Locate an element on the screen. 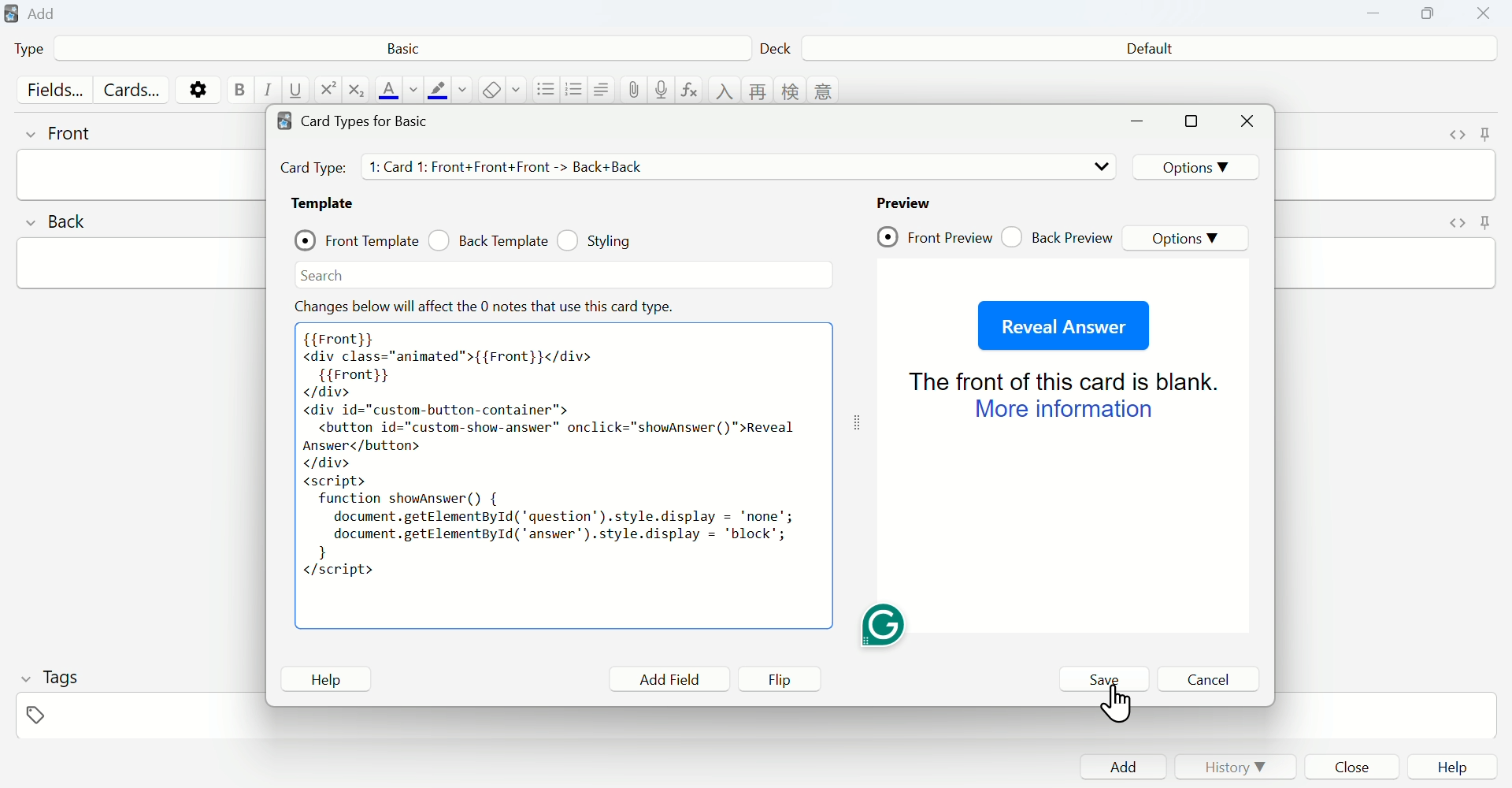  front input field is located at coordinates (141, 174).